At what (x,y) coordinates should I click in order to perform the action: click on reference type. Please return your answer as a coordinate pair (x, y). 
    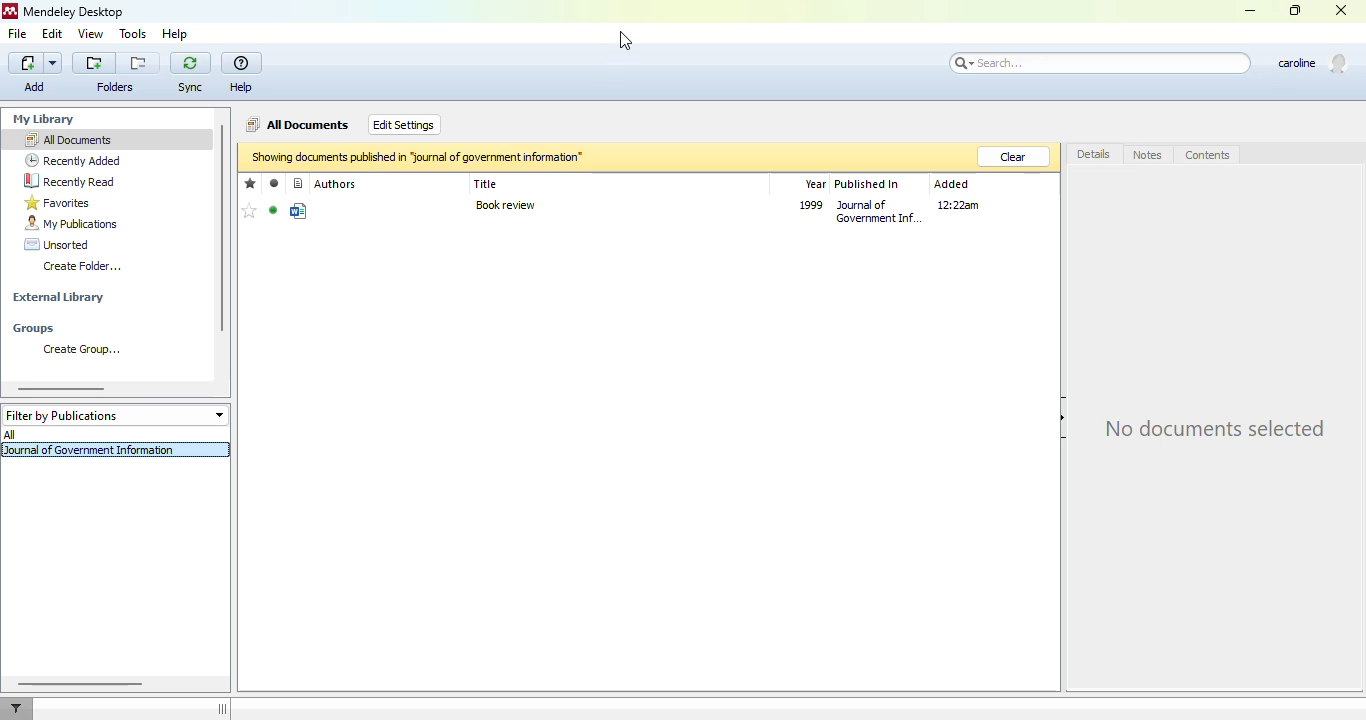
    Looking at the image, I should click on (299, 183).